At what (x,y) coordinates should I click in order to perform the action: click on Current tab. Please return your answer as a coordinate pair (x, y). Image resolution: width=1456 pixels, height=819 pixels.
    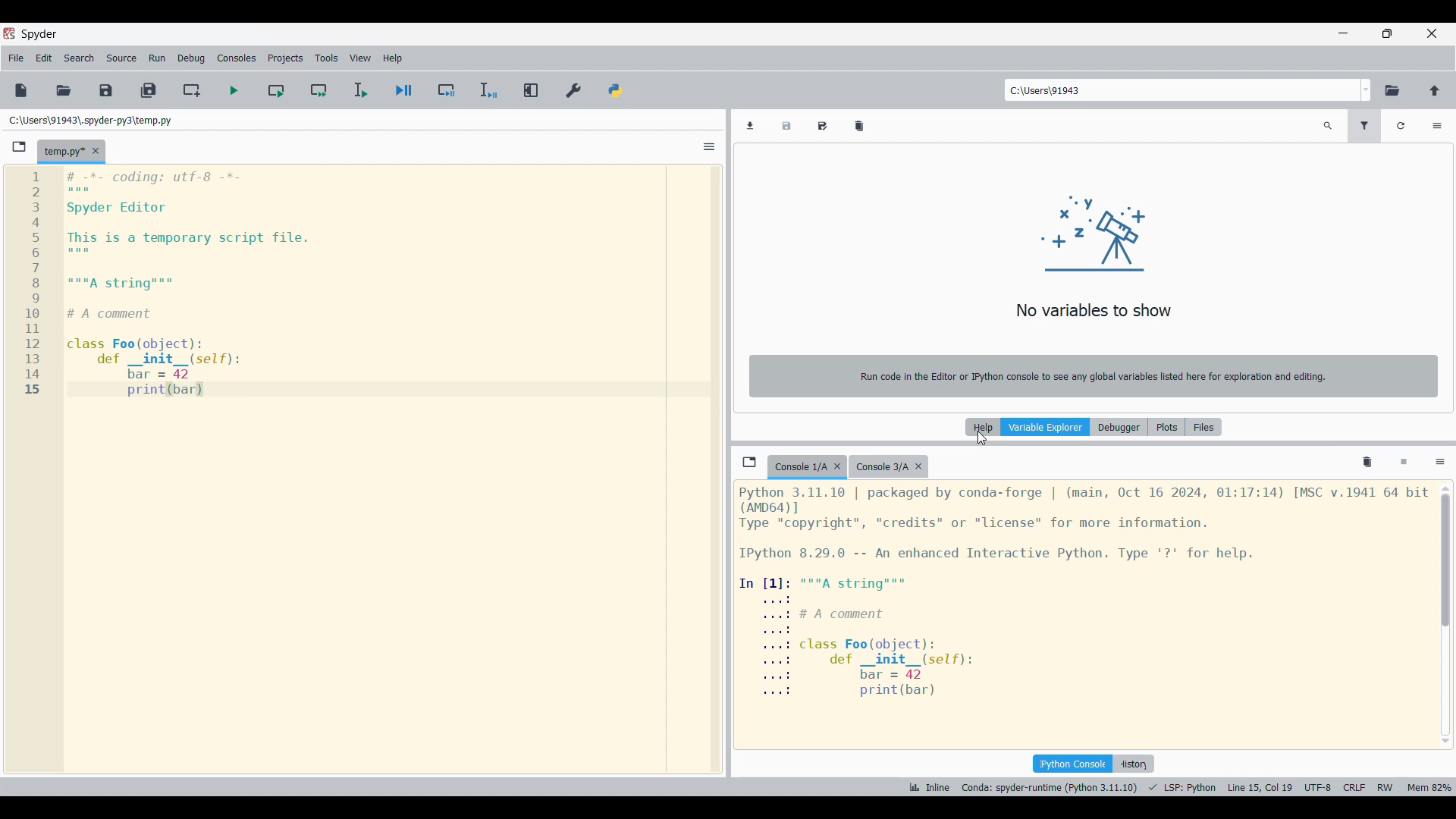
    Looking at the image, I should click on (62, 152).